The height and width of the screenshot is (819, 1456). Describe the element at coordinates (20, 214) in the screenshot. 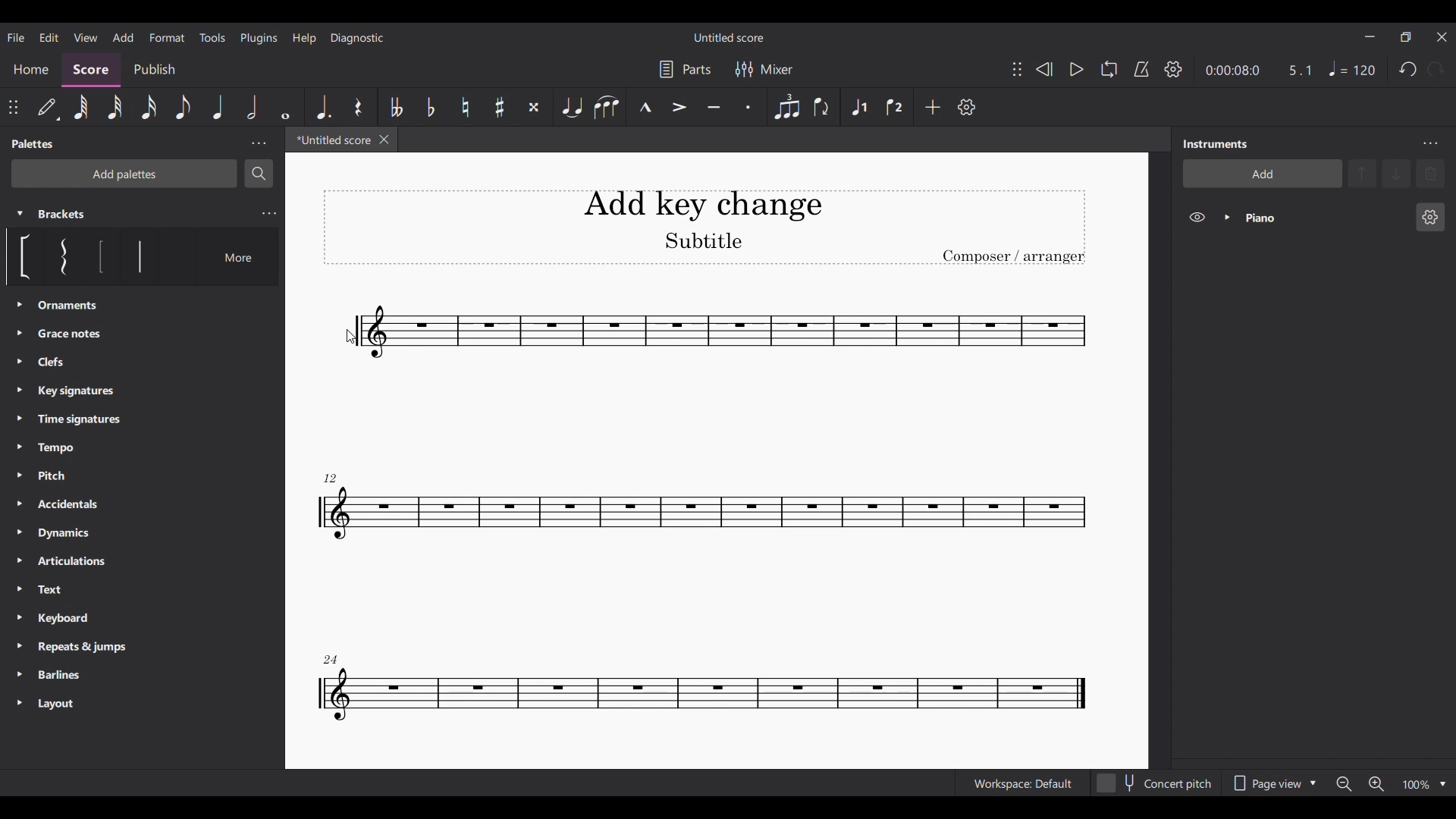

I see `Collapse Brackets` at that location.